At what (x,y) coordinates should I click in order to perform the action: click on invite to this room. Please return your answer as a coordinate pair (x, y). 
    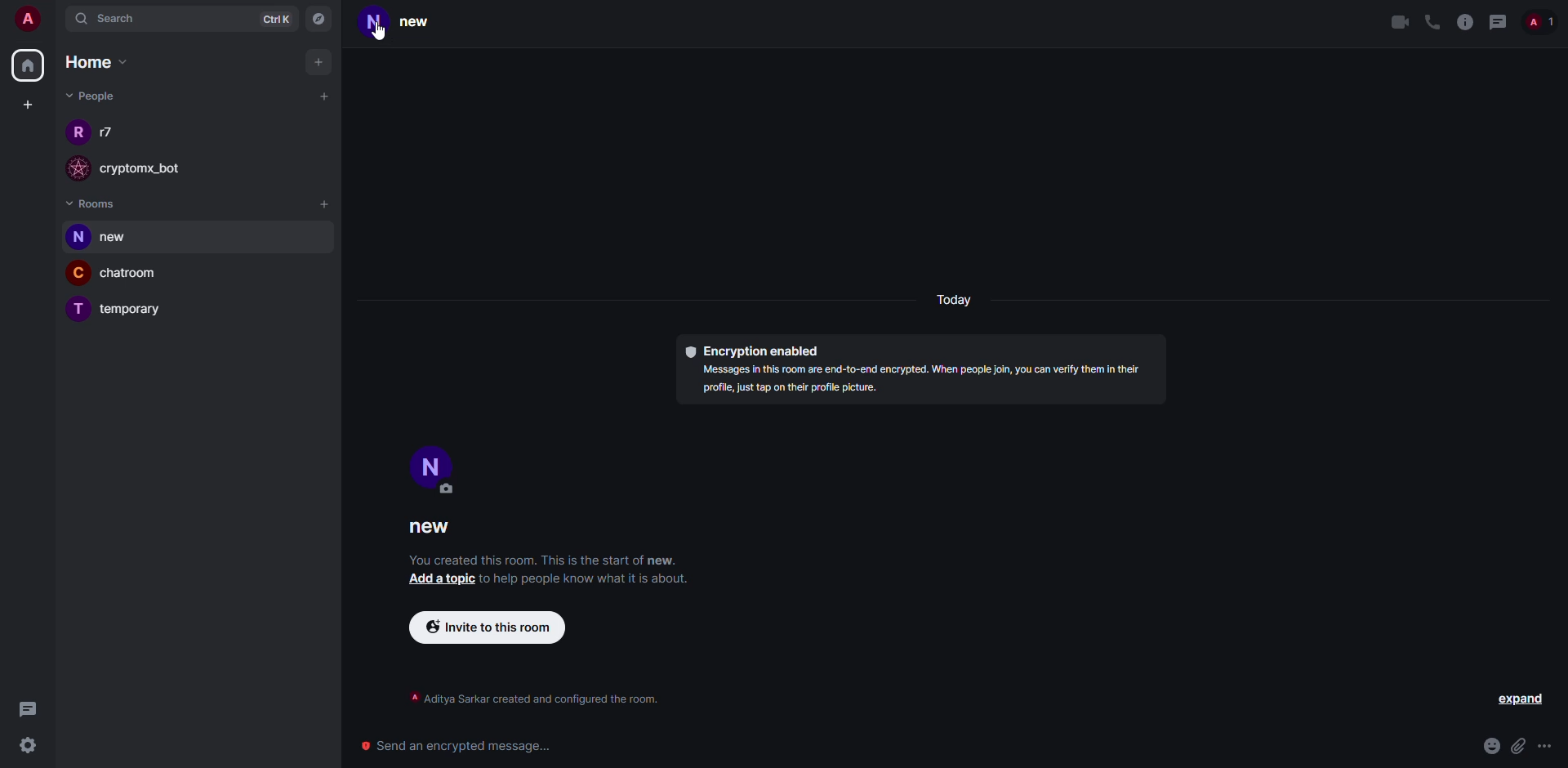
    Looking at the image, I should click on (485, 627).